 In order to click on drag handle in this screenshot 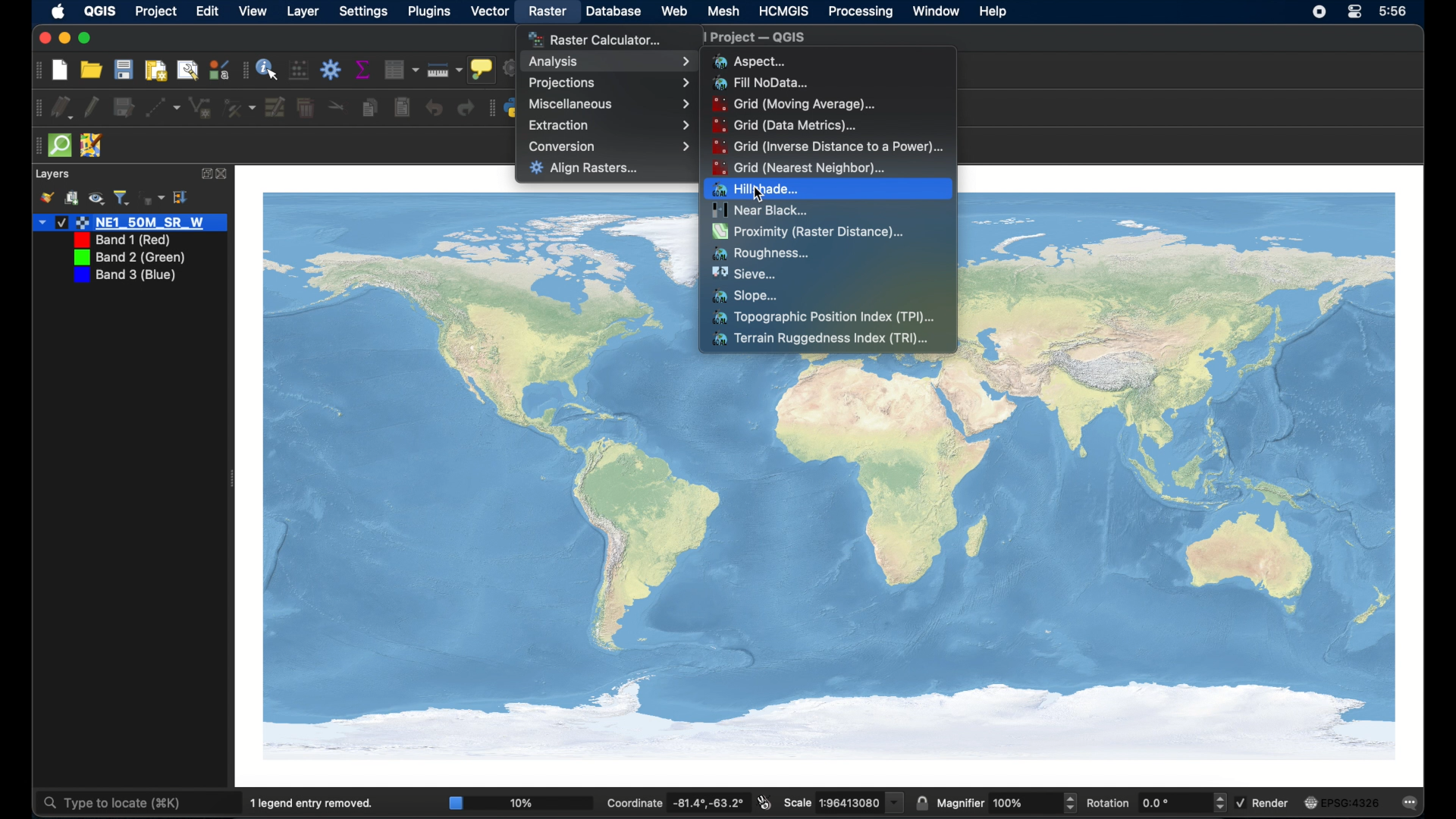, I will do `click(36, 108)`.